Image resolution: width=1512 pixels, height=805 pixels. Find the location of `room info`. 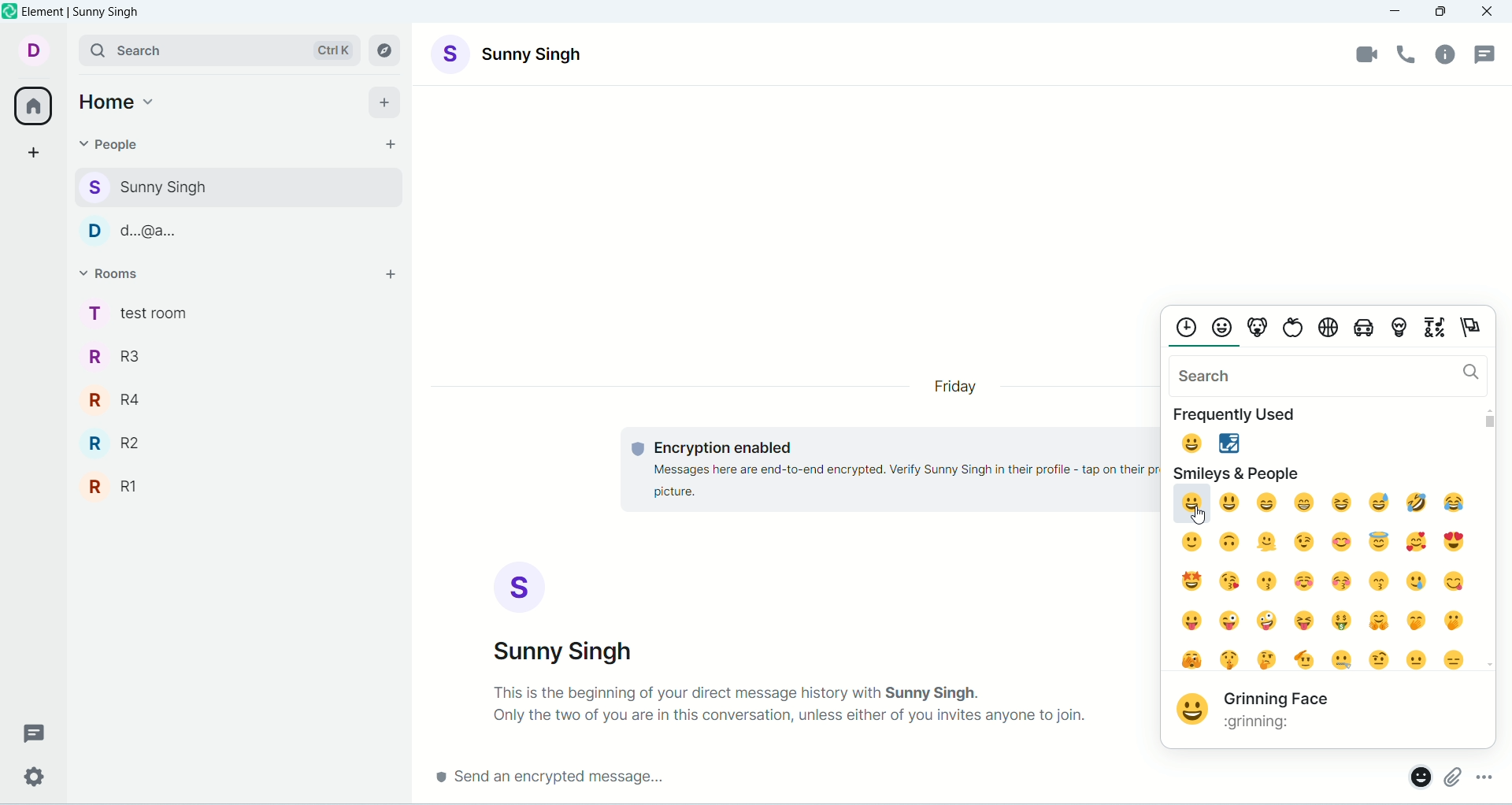

room info is located at coordinates (1445, 58).